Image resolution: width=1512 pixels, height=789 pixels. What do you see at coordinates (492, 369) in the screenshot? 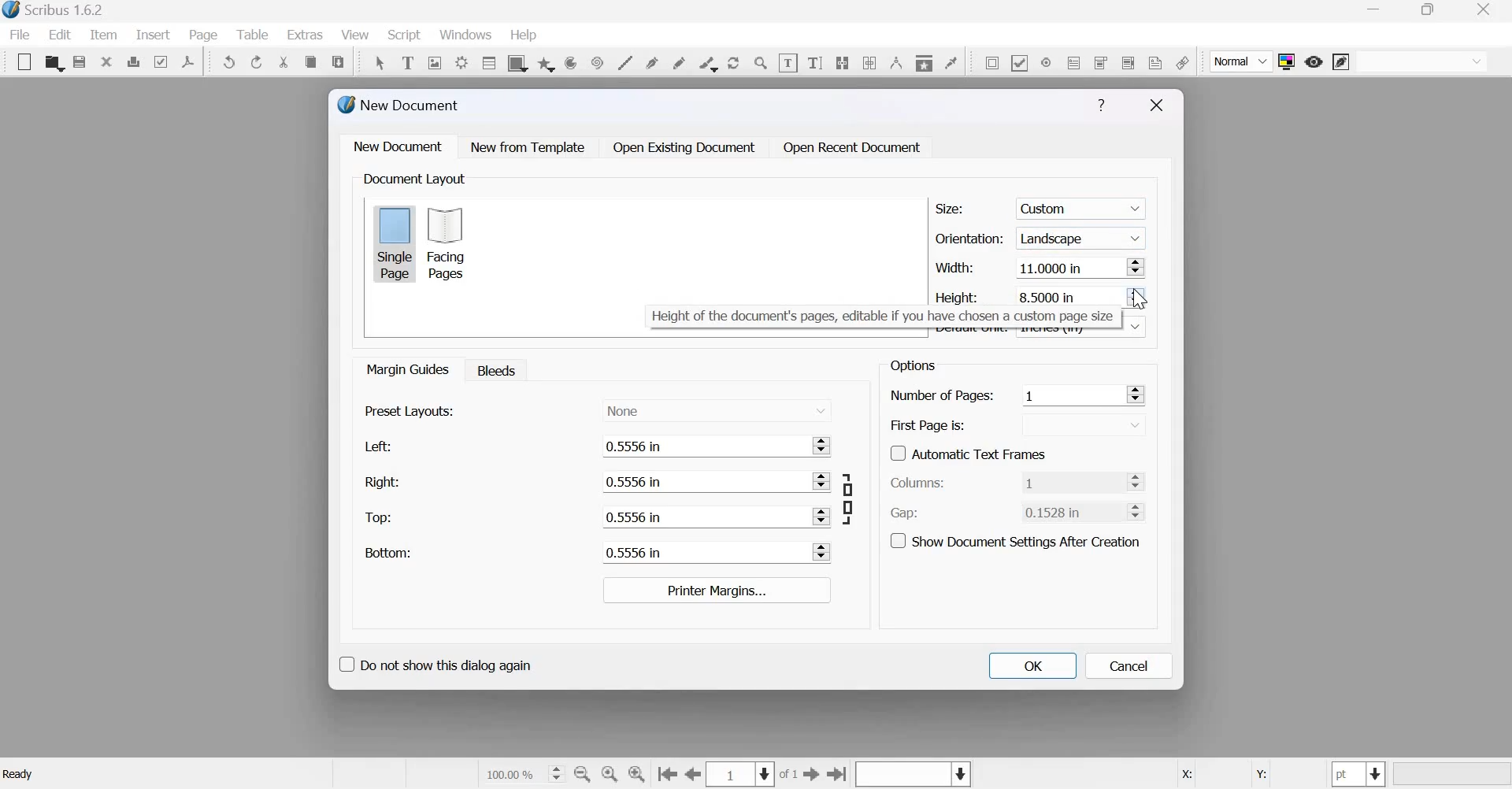
I see `Bleeds` at bounding box center [492, 369].